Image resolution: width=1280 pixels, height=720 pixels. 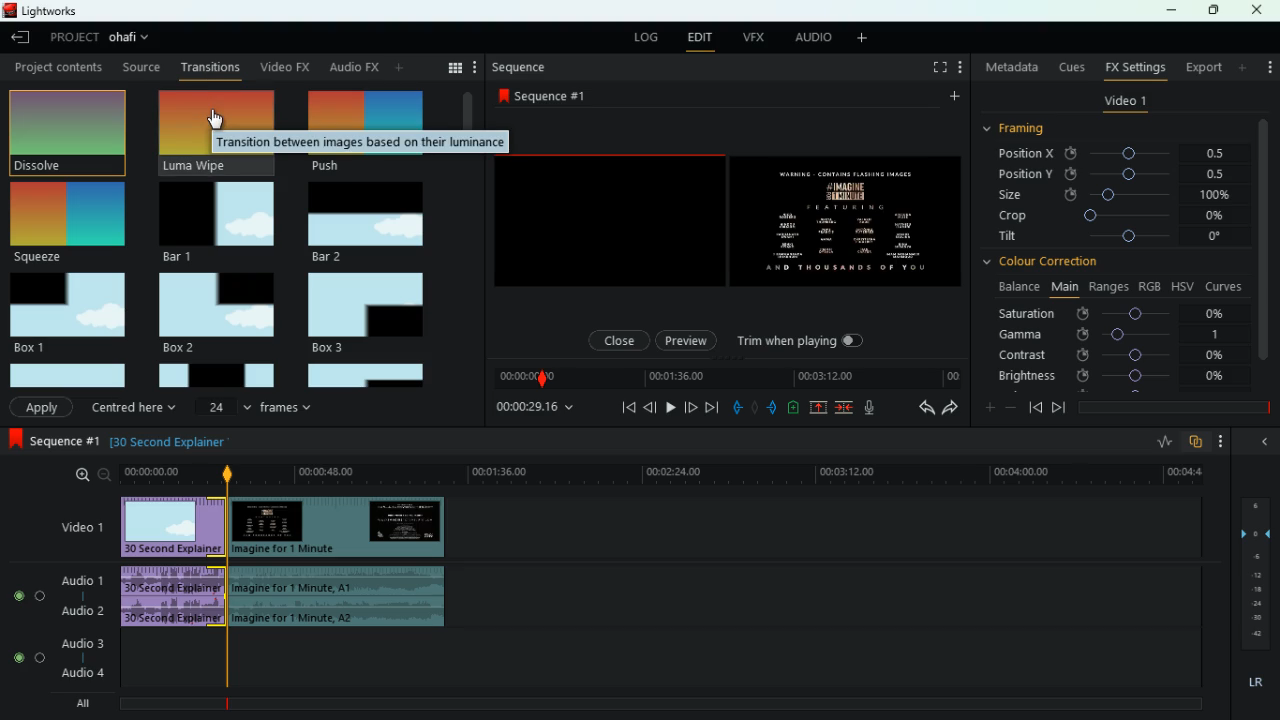 What do you see at coordinates (171, 526) in the screenshot?
I see `video` at bounding box center [171, 526].